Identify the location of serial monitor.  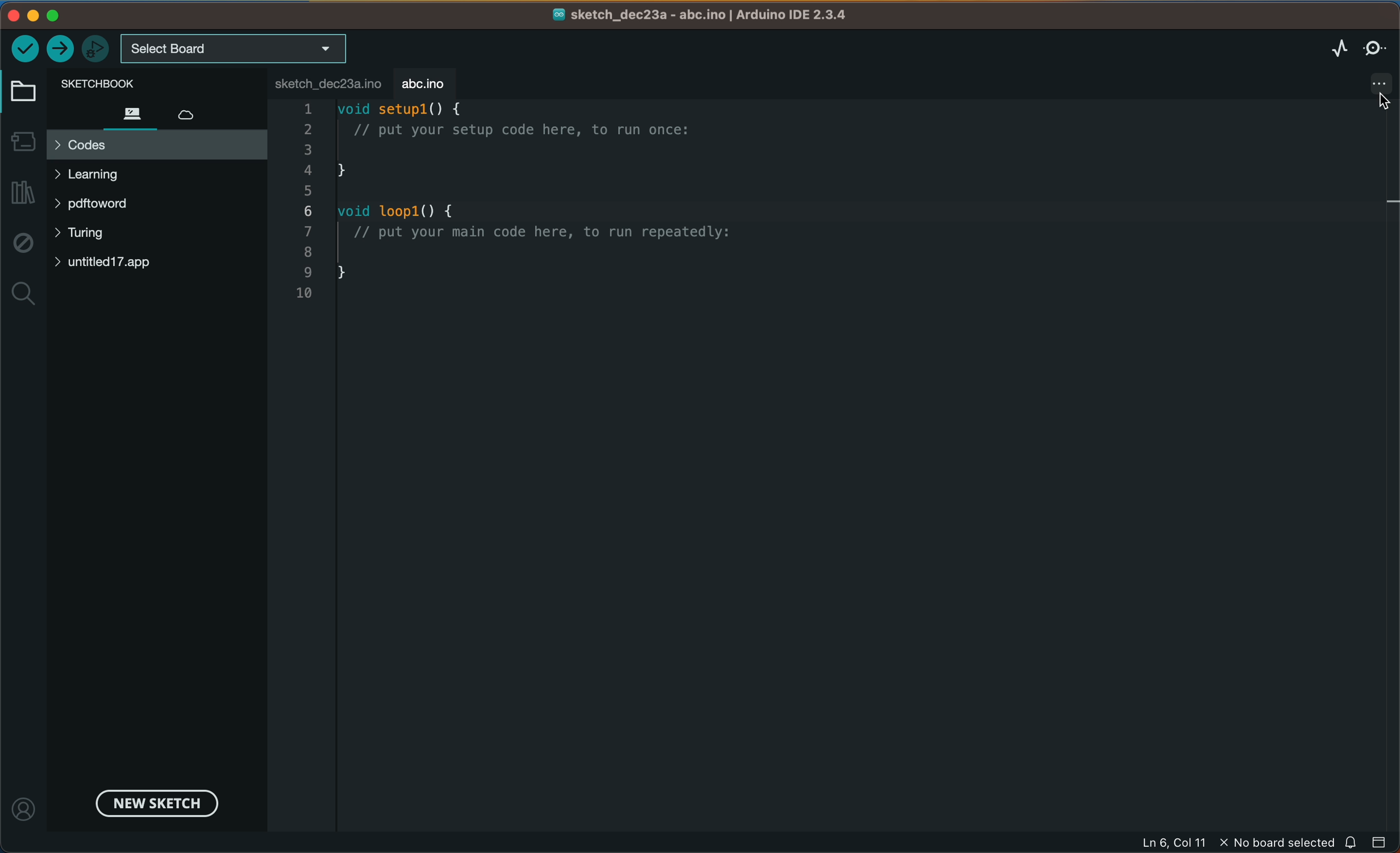
(1377, 48).